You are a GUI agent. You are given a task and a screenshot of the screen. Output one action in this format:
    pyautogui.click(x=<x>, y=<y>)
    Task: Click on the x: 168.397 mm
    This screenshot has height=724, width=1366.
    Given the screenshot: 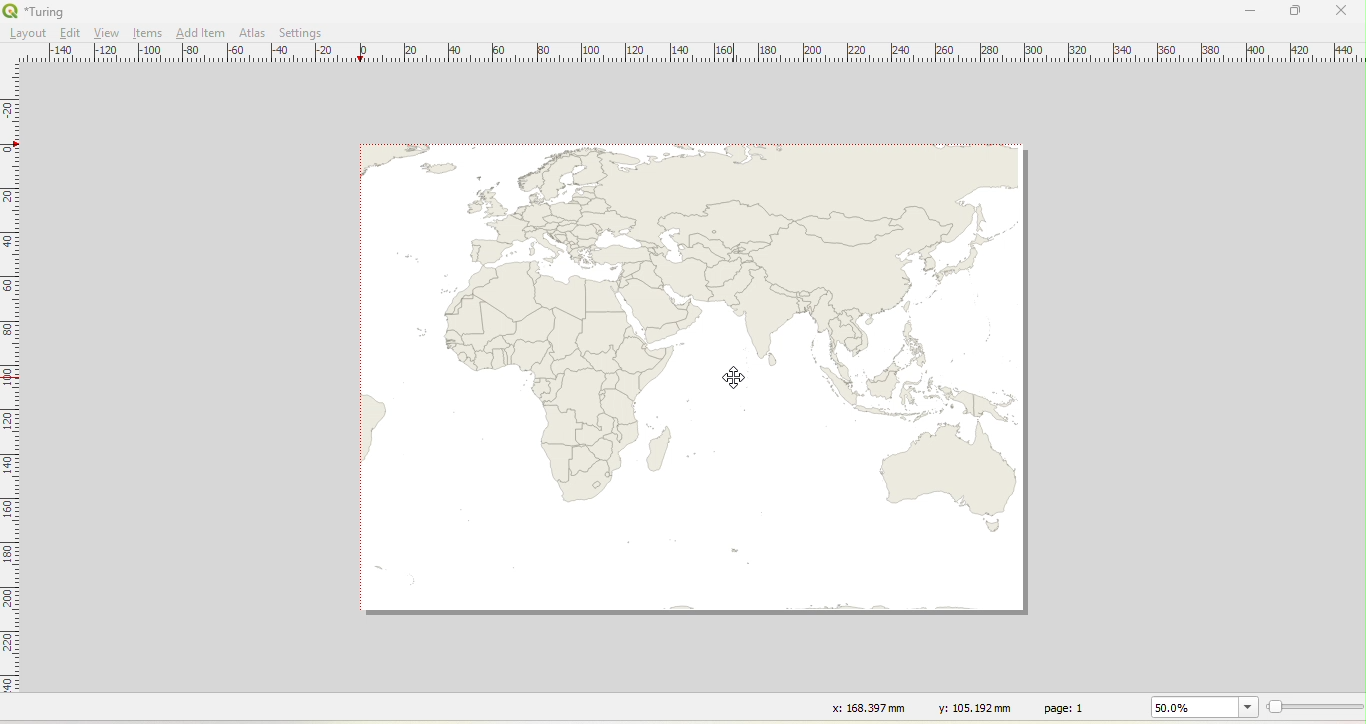 What is the action you would take?
    pyautogui.click(x=1289, y=1073)
    